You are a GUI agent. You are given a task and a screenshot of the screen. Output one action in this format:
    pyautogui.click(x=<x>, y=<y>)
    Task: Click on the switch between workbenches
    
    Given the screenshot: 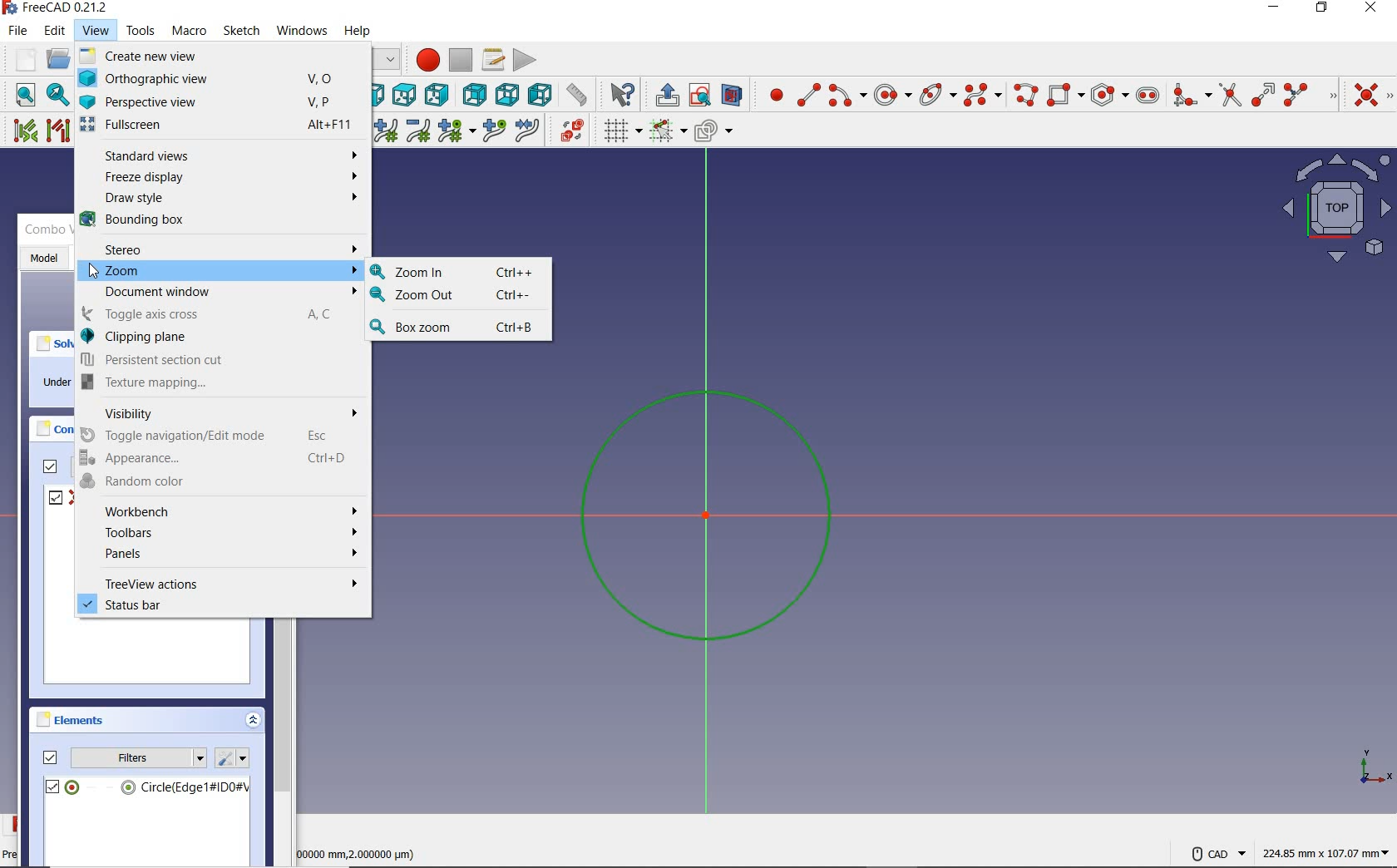 What is the action you would take?
    pyautogui.click(x=390, y=58)
    